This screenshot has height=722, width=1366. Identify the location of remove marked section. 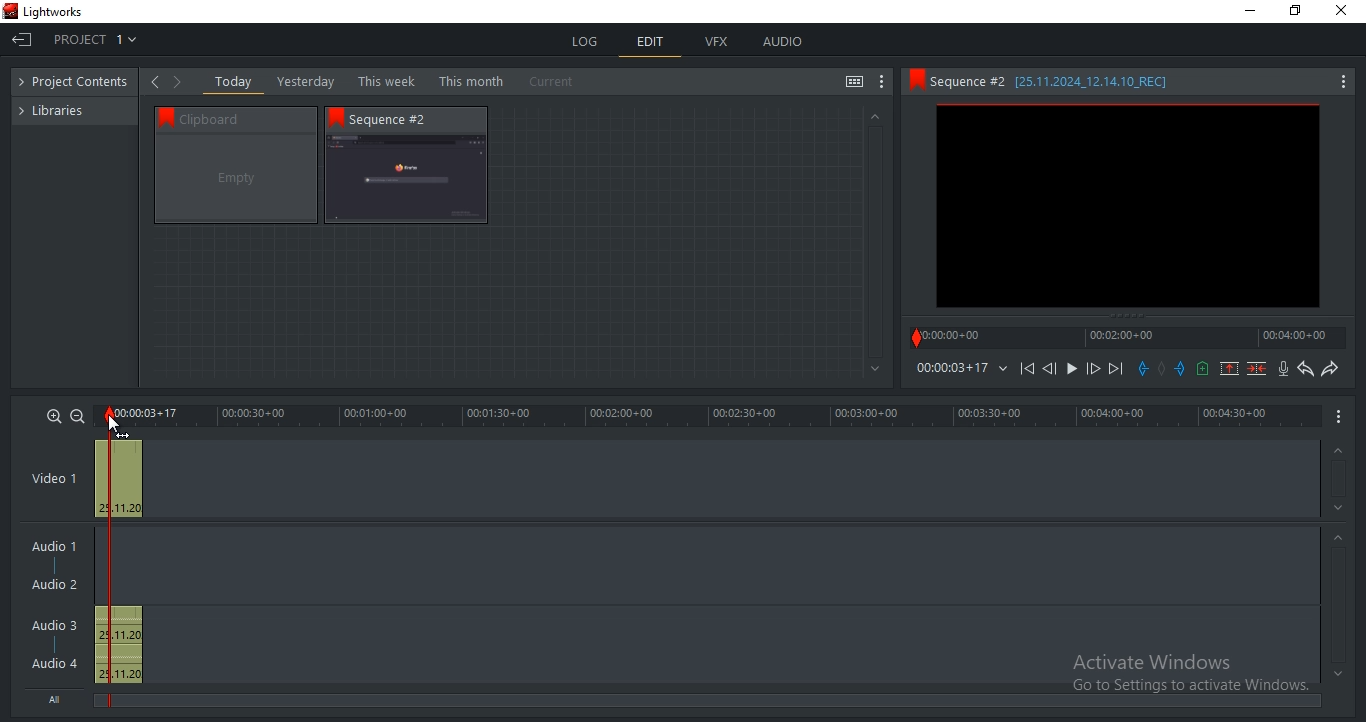
(1229, 367).